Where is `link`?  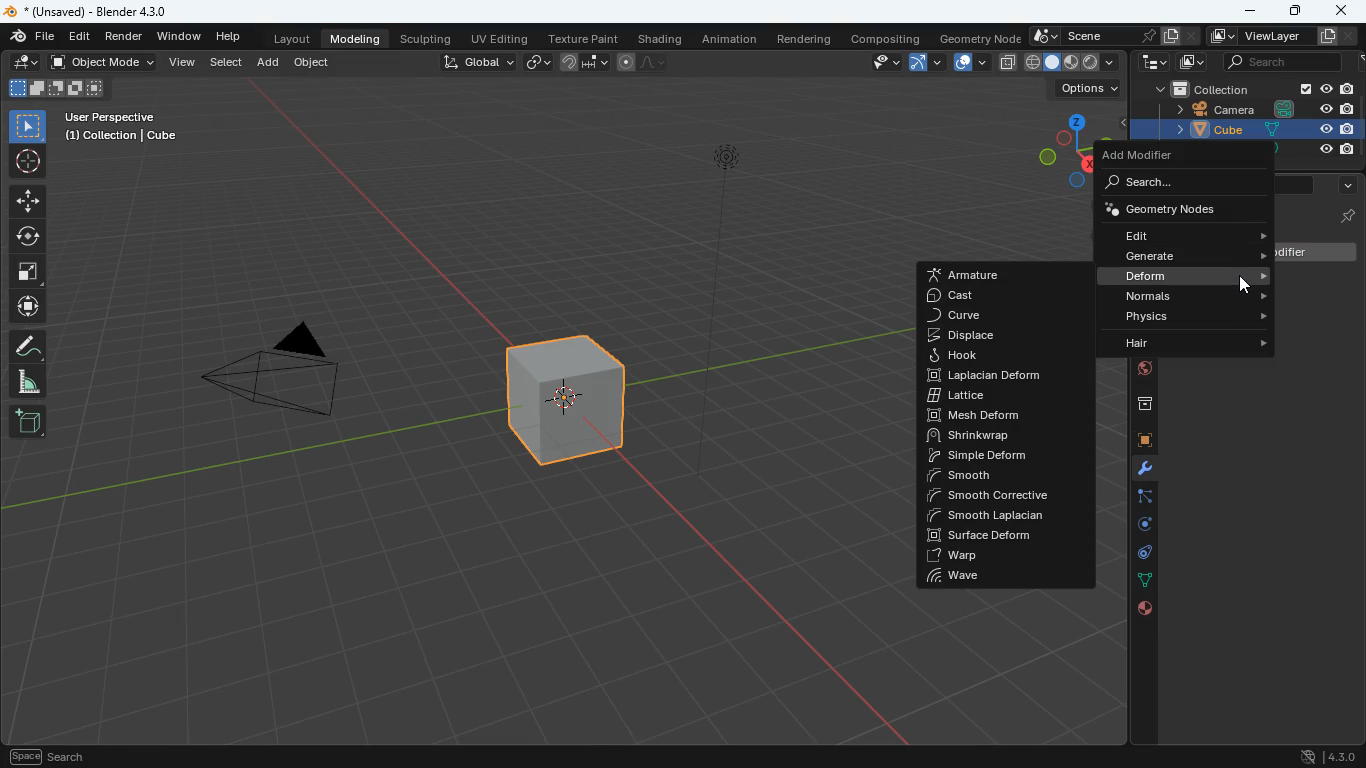 link is located at coordinates (535, 61).